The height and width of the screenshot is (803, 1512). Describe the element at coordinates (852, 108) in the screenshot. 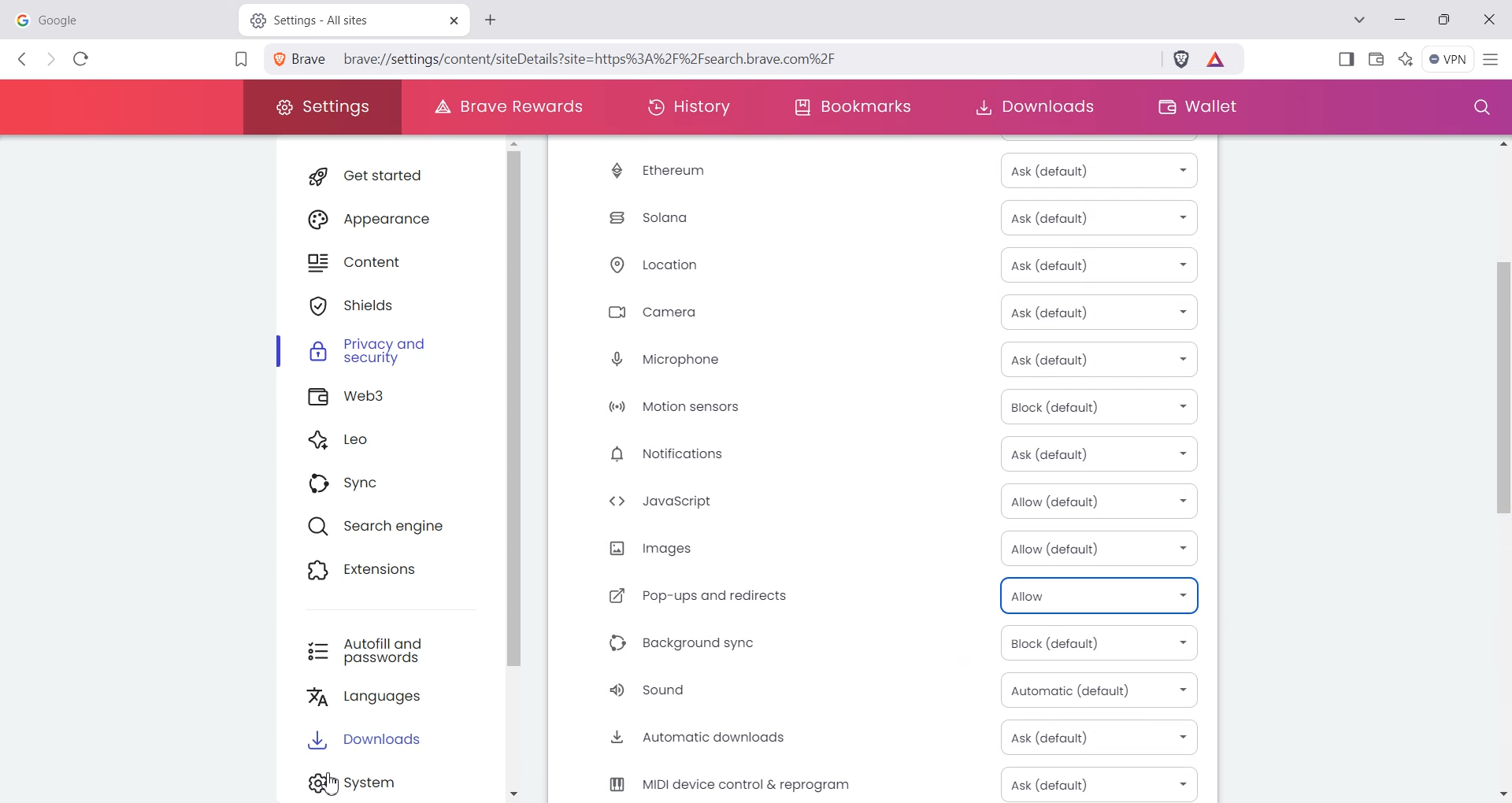

I see `Bookmarks` at that location.